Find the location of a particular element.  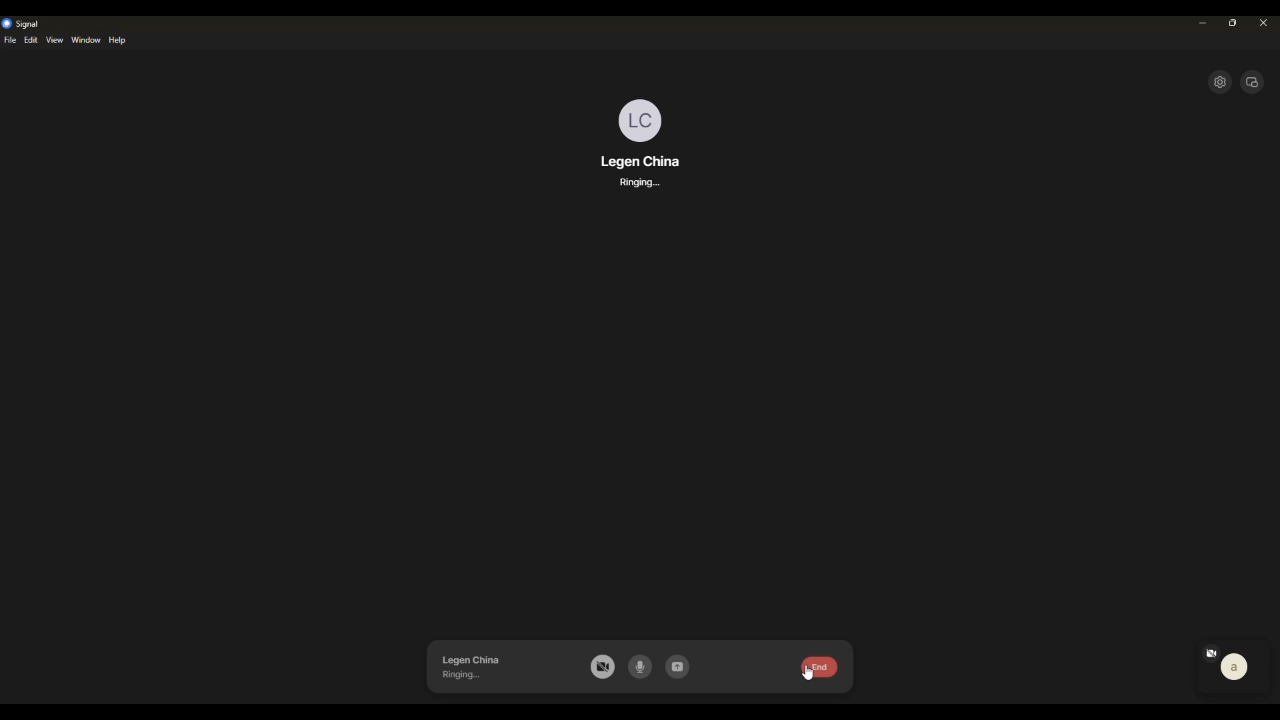

cursor is located at coordinates (806, 674).